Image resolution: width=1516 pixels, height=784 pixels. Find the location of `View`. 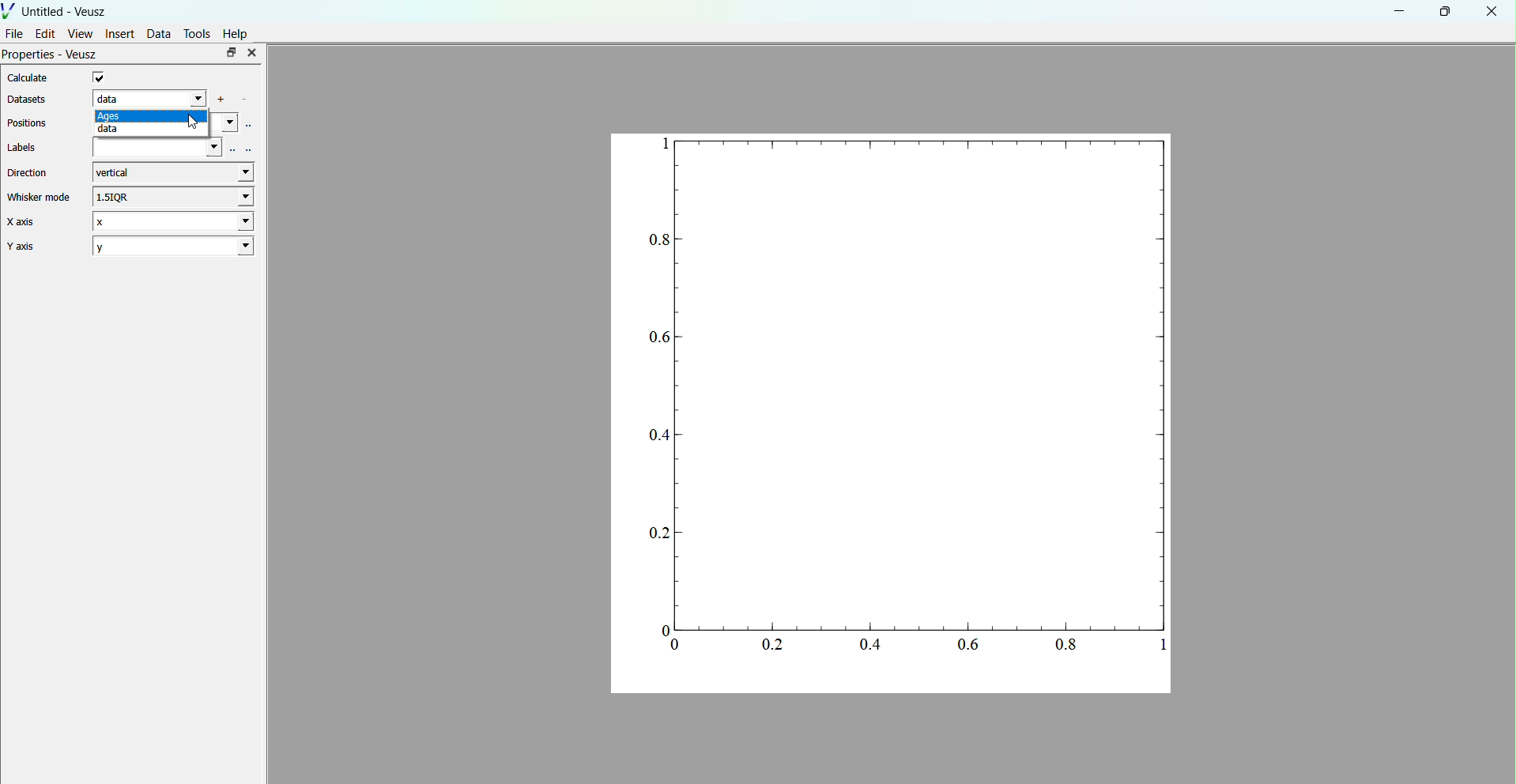

View is located at coordinates (80, 33).